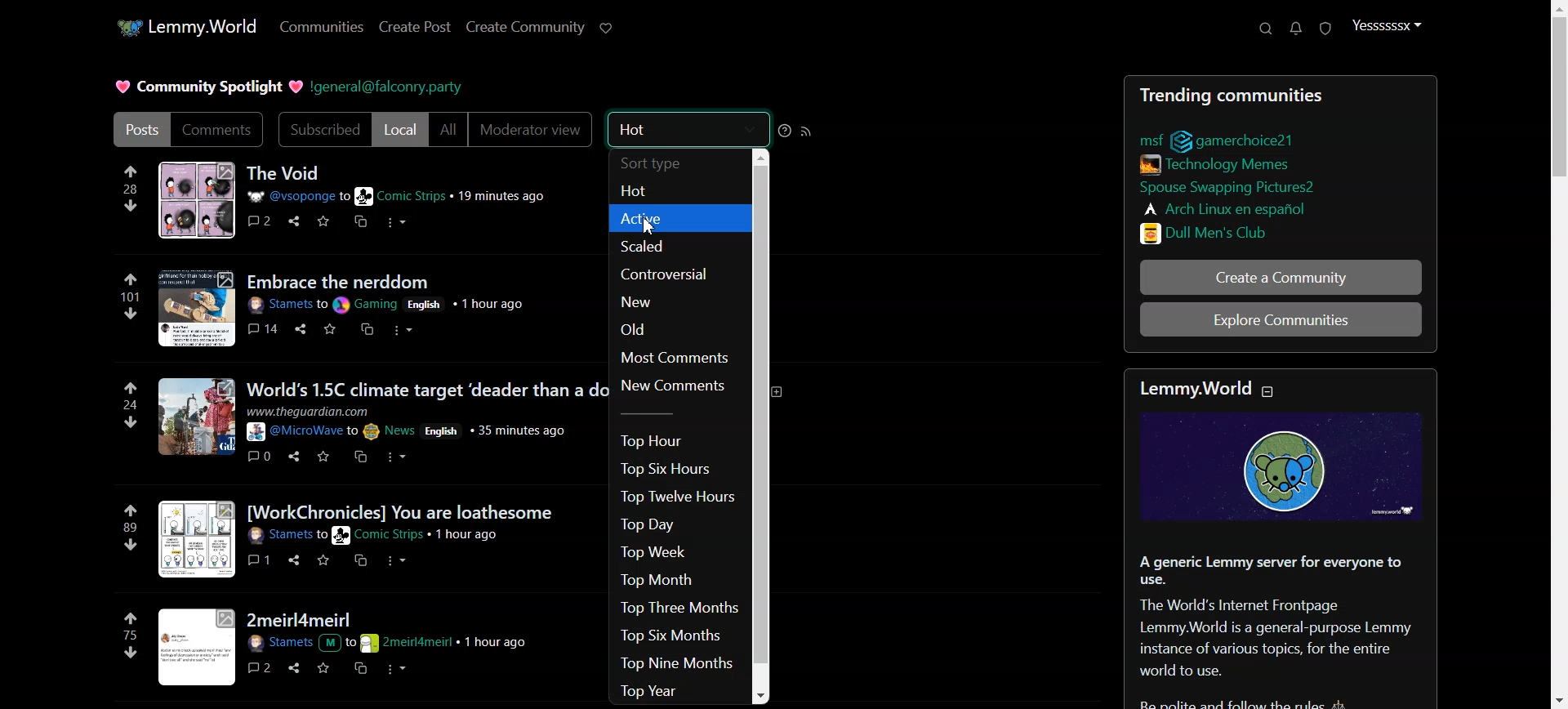 The height and width of the screenshot is (709, 1568). Describe the element at coordinates (296, 457) in the screenshot. I see `share` at that location.